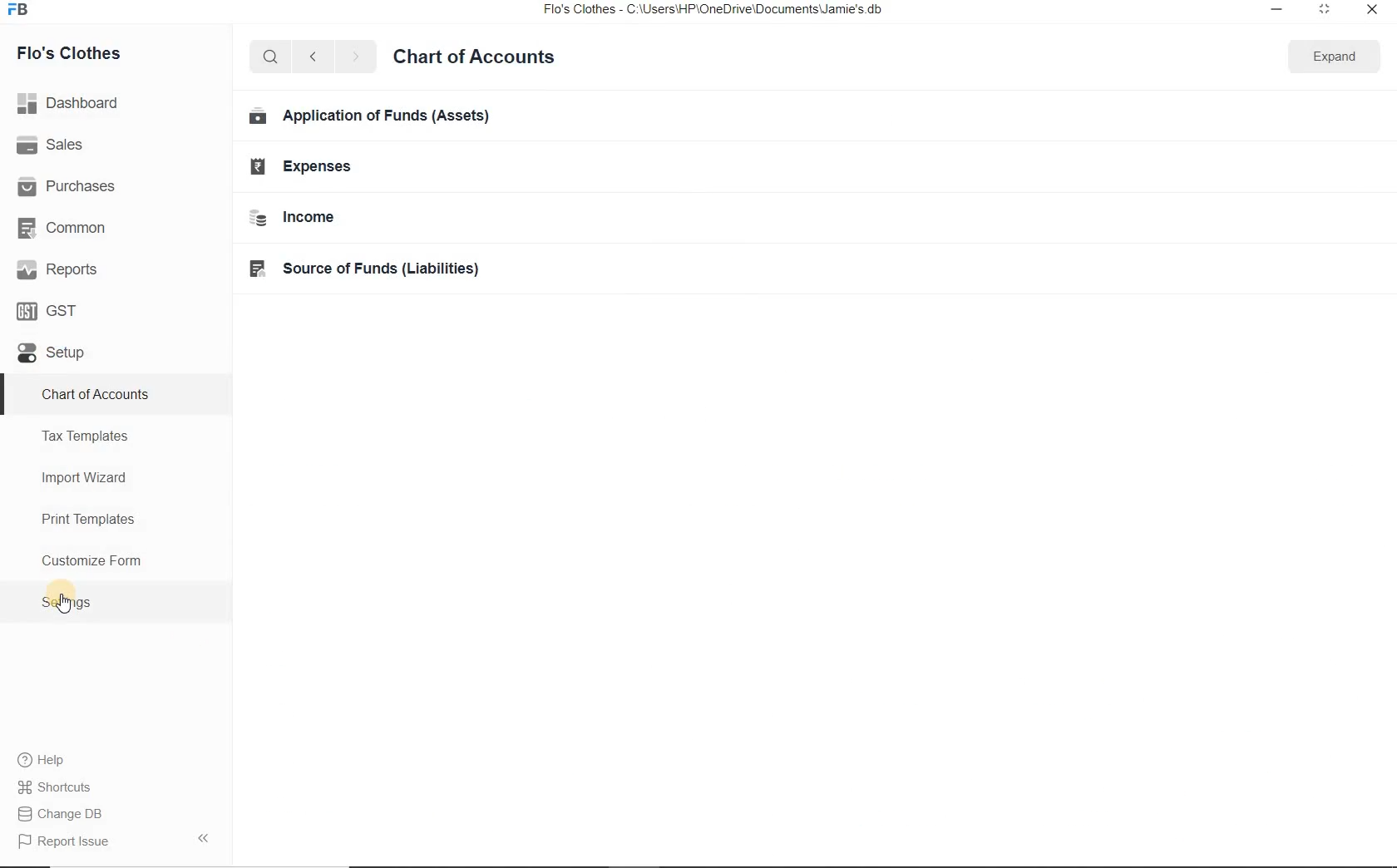 Image resolution: width=1397 pixels, height=868 pixels. What do you see at coordinates (57, 271) in the screenshot?
I see `Reports` at bounding box center [57, 271].